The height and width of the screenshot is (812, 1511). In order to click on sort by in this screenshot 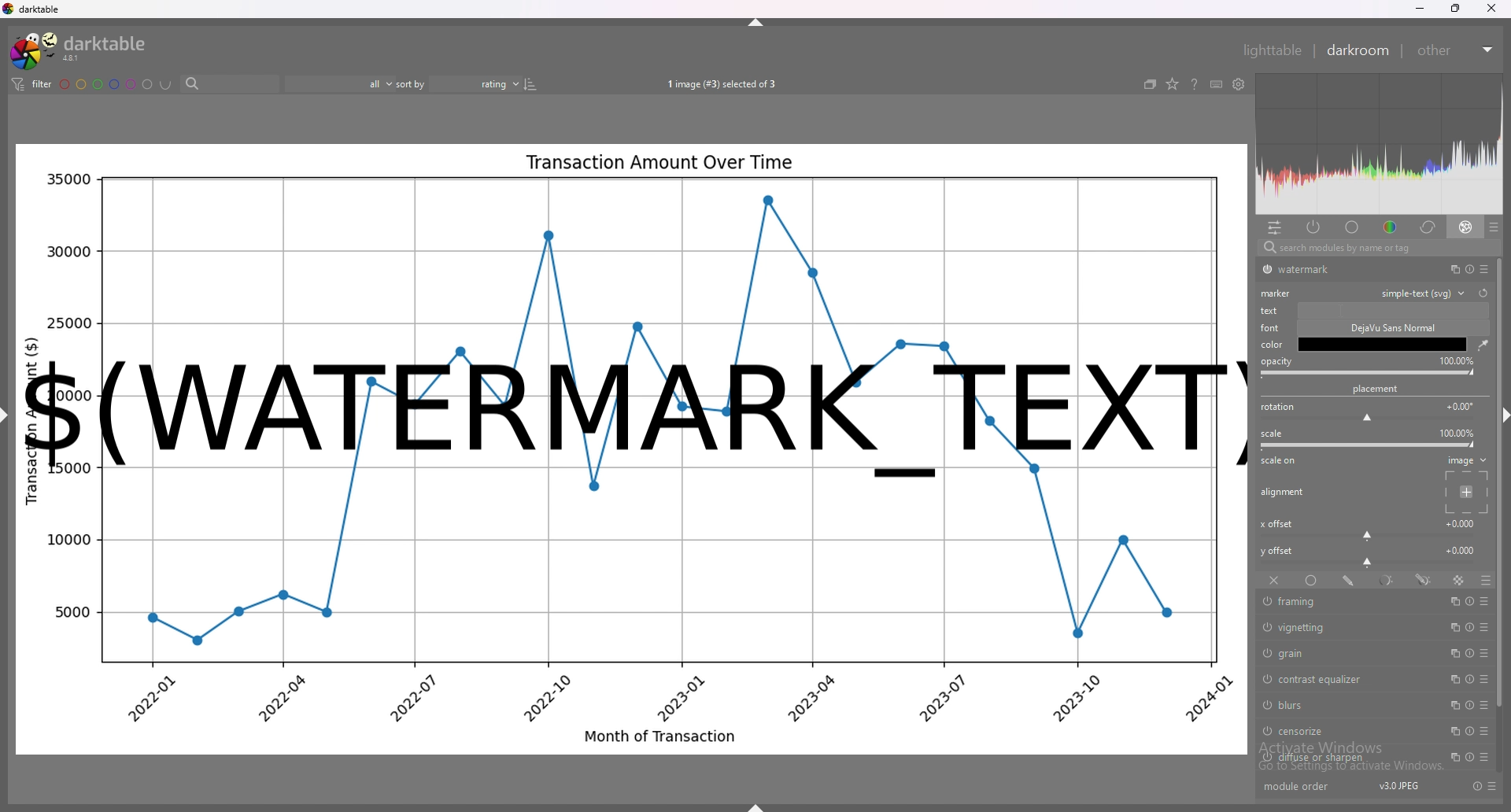, I will do `click(458, 82)`.